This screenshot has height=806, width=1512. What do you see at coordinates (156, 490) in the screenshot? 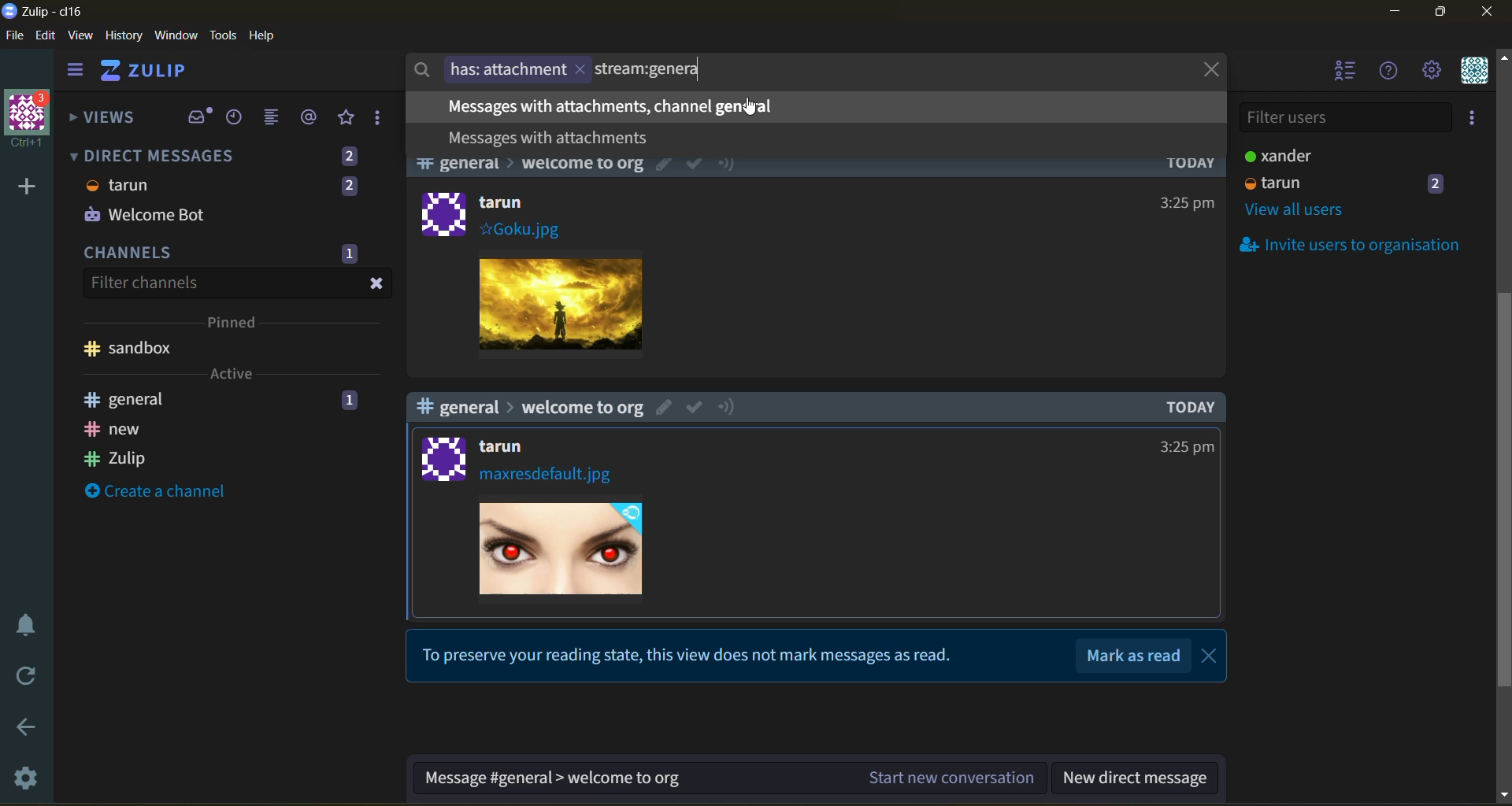
I see `create a channel` at bounding box center [156, 490].